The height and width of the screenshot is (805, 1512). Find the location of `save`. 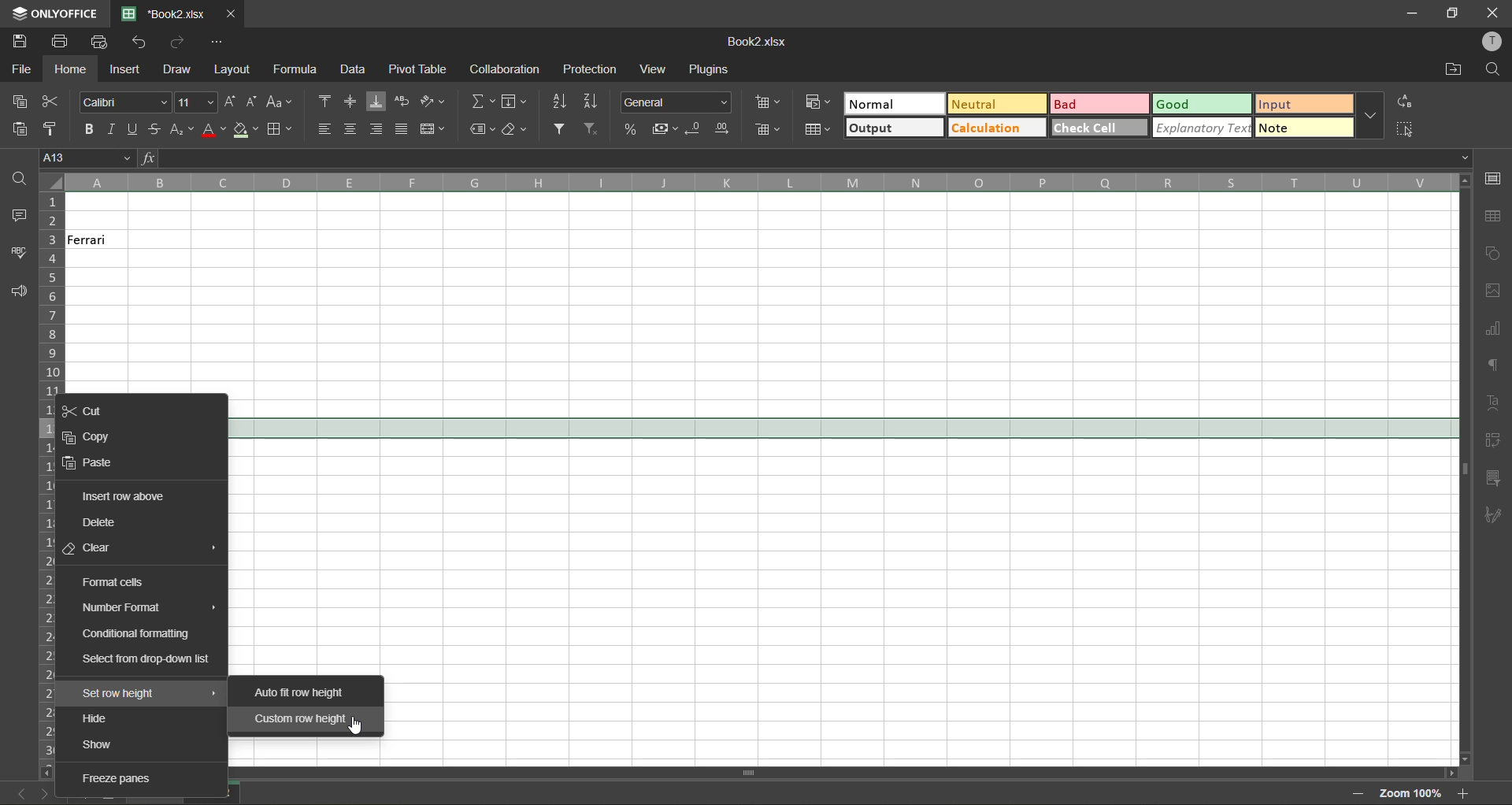

save is located at coordinates (18, 42).